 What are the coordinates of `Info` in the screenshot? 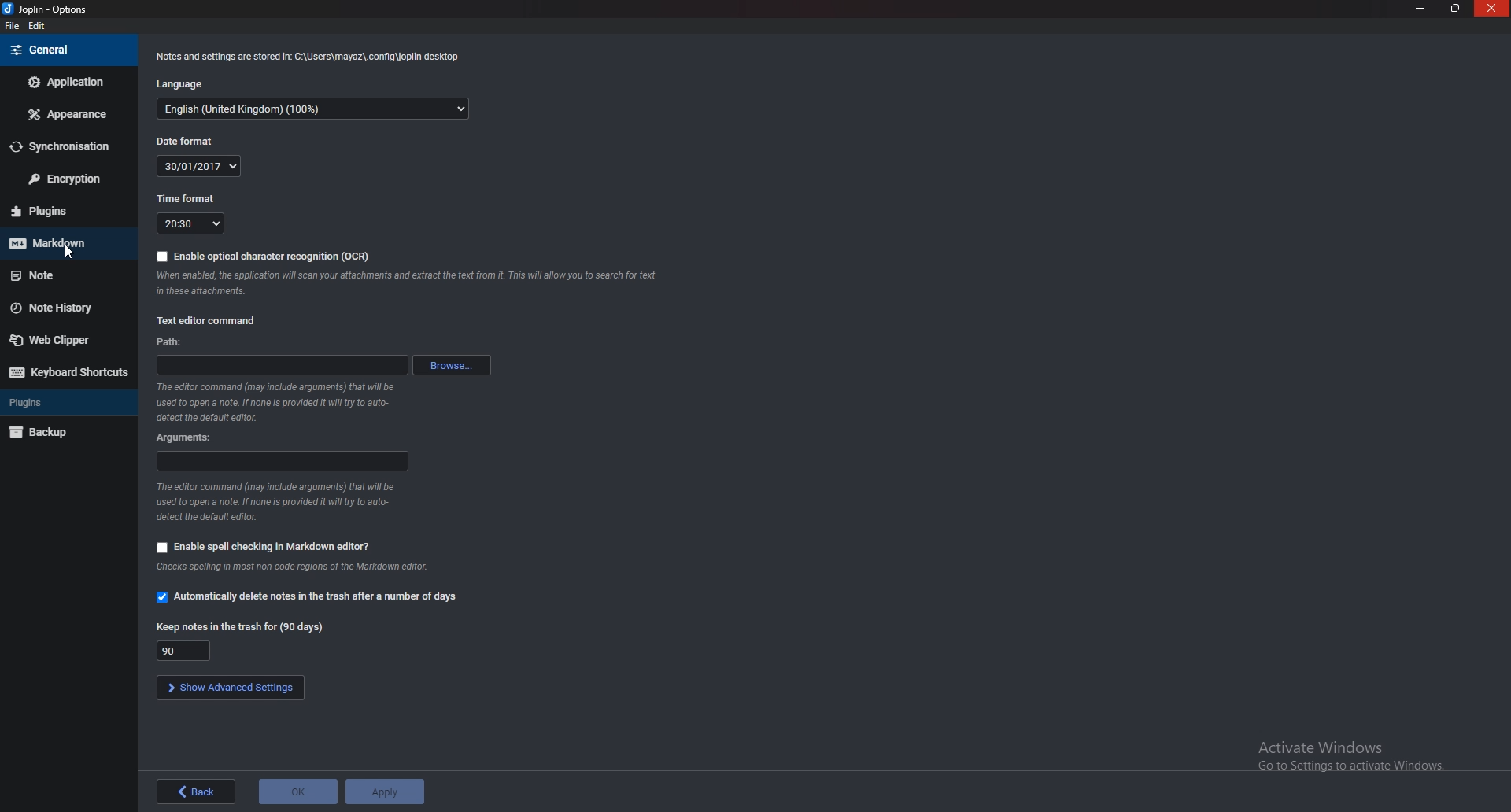 It's located at (318, 568).